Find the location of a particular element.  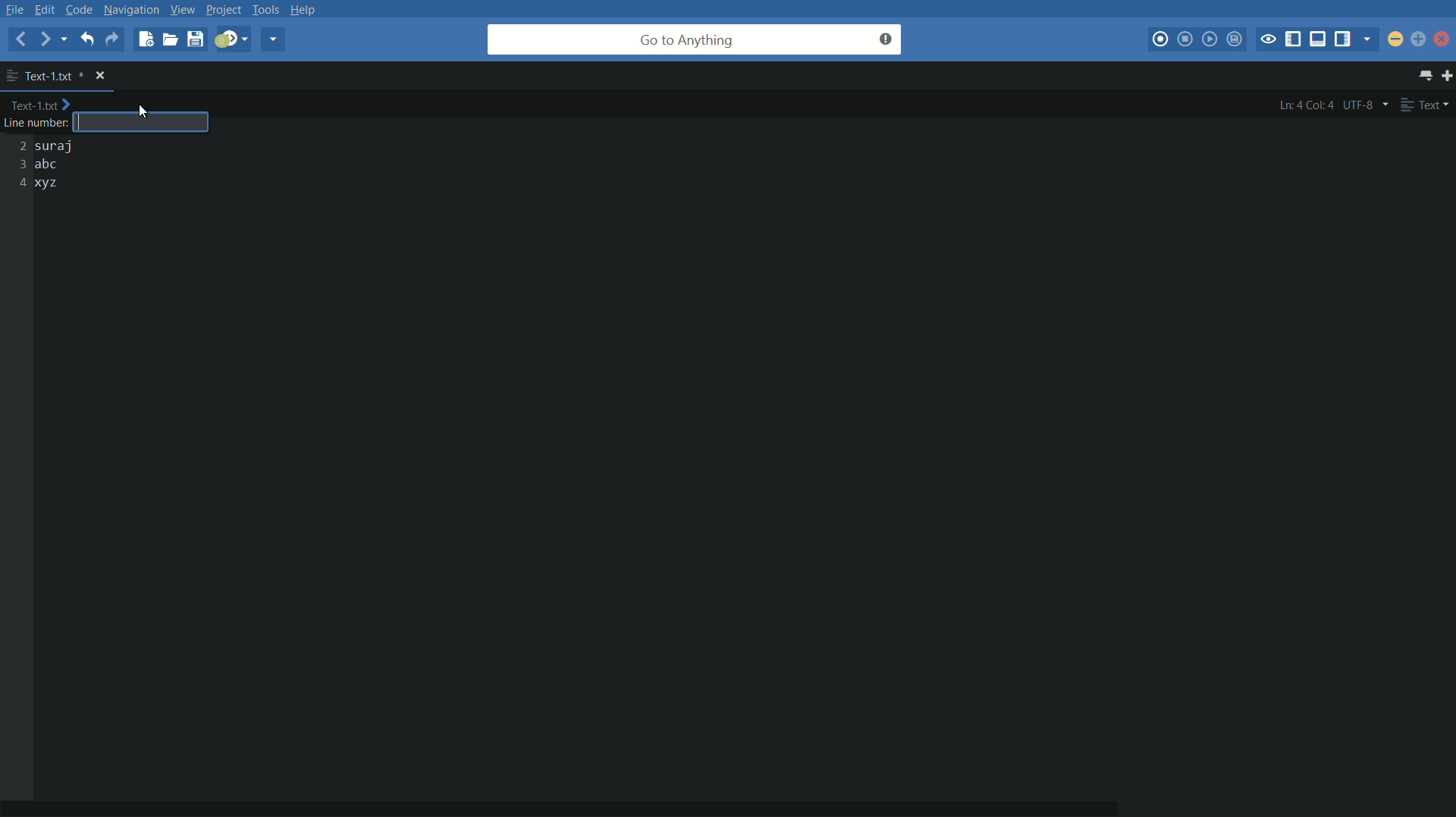

show/hide left panel is located at coordinates (1293, 39).